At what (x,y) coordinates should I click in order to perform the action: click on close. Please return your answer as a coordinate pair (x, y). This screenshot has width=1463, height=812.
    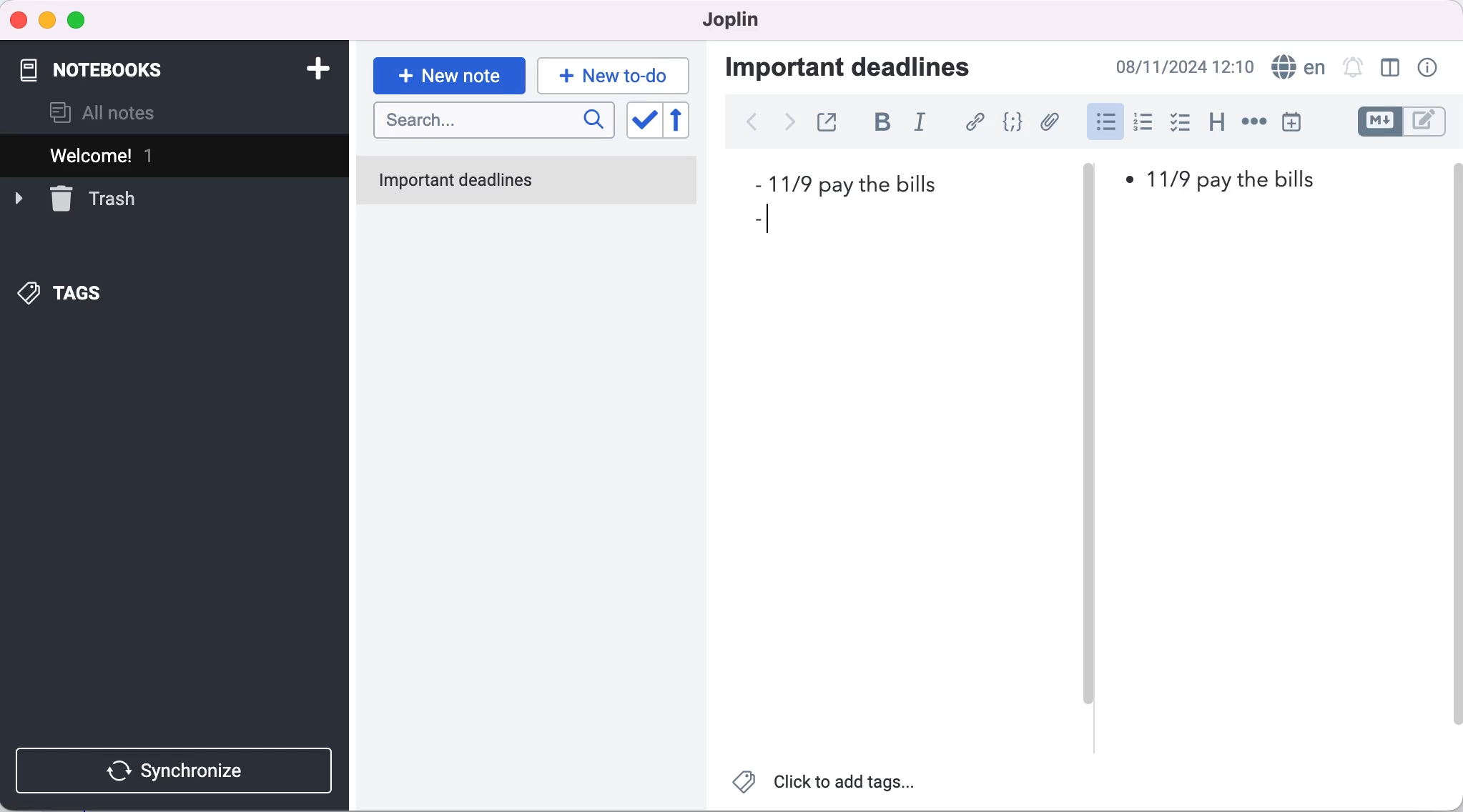
    Looking at the image, I should click on (19, 19).